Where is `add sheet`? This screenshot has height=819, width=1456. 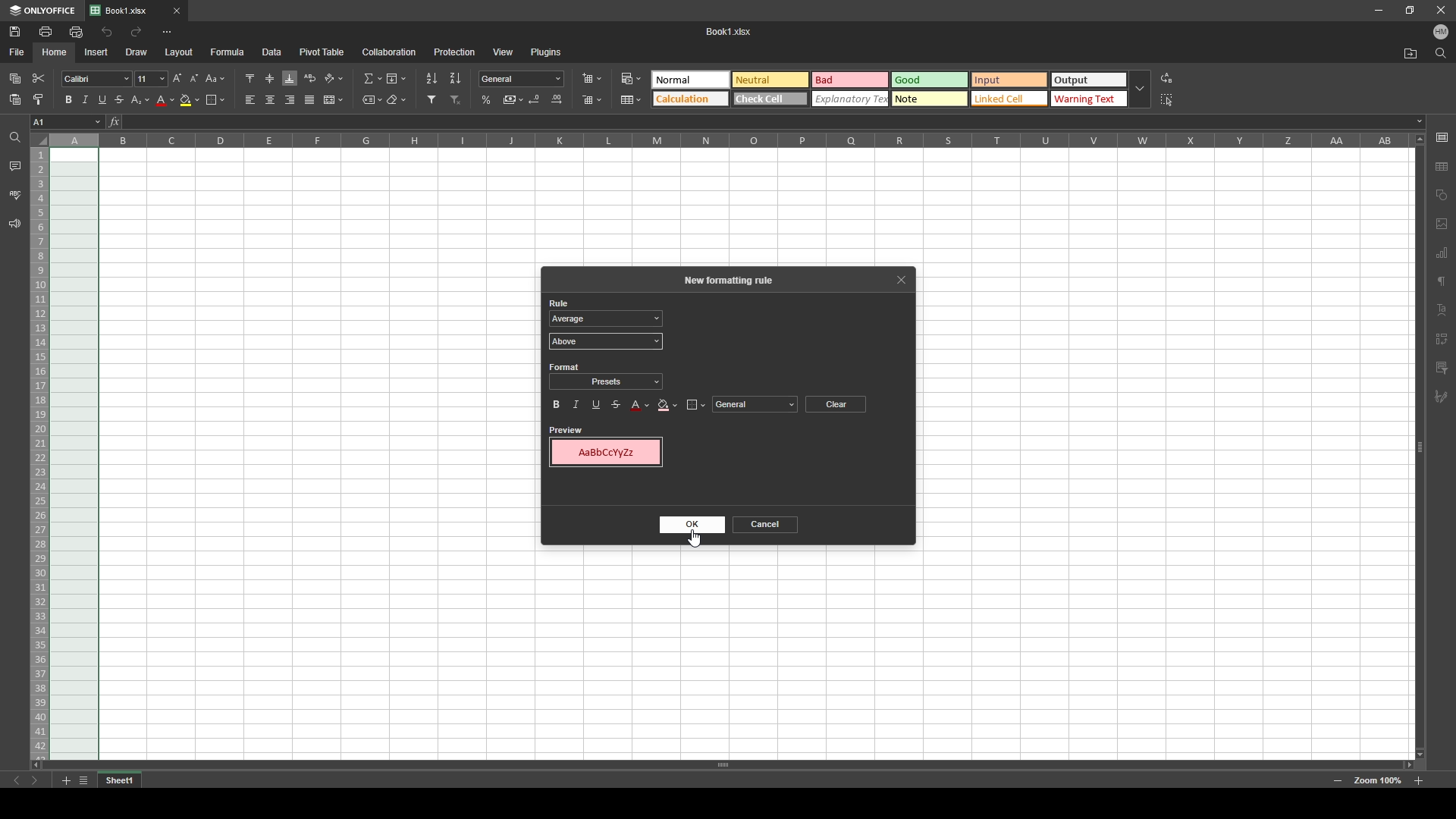
add sheet is located at coordinates (65, 781).